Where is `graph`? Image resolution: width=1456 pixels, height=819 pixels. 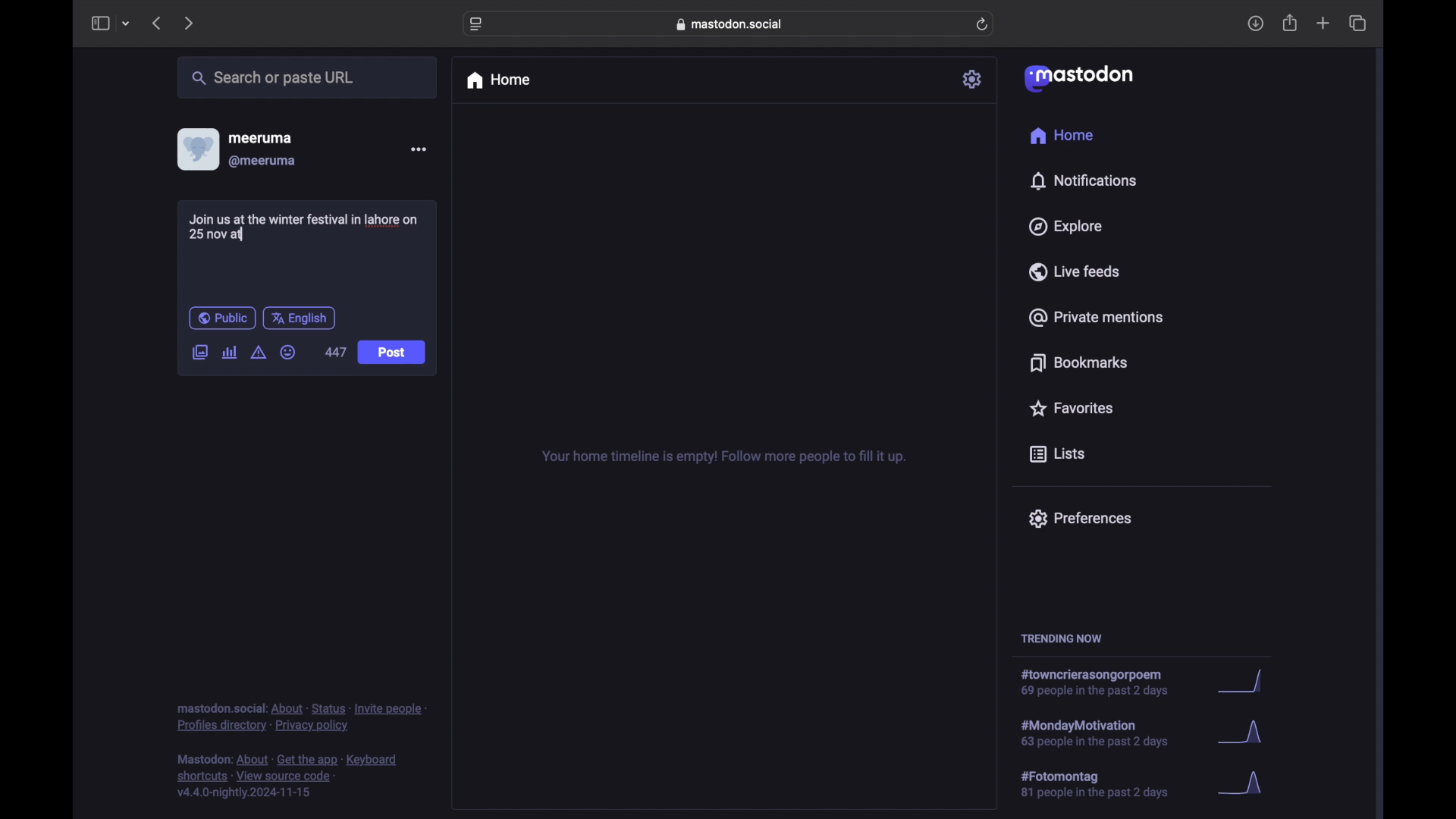 graph is located at coordinates (1245, 784).